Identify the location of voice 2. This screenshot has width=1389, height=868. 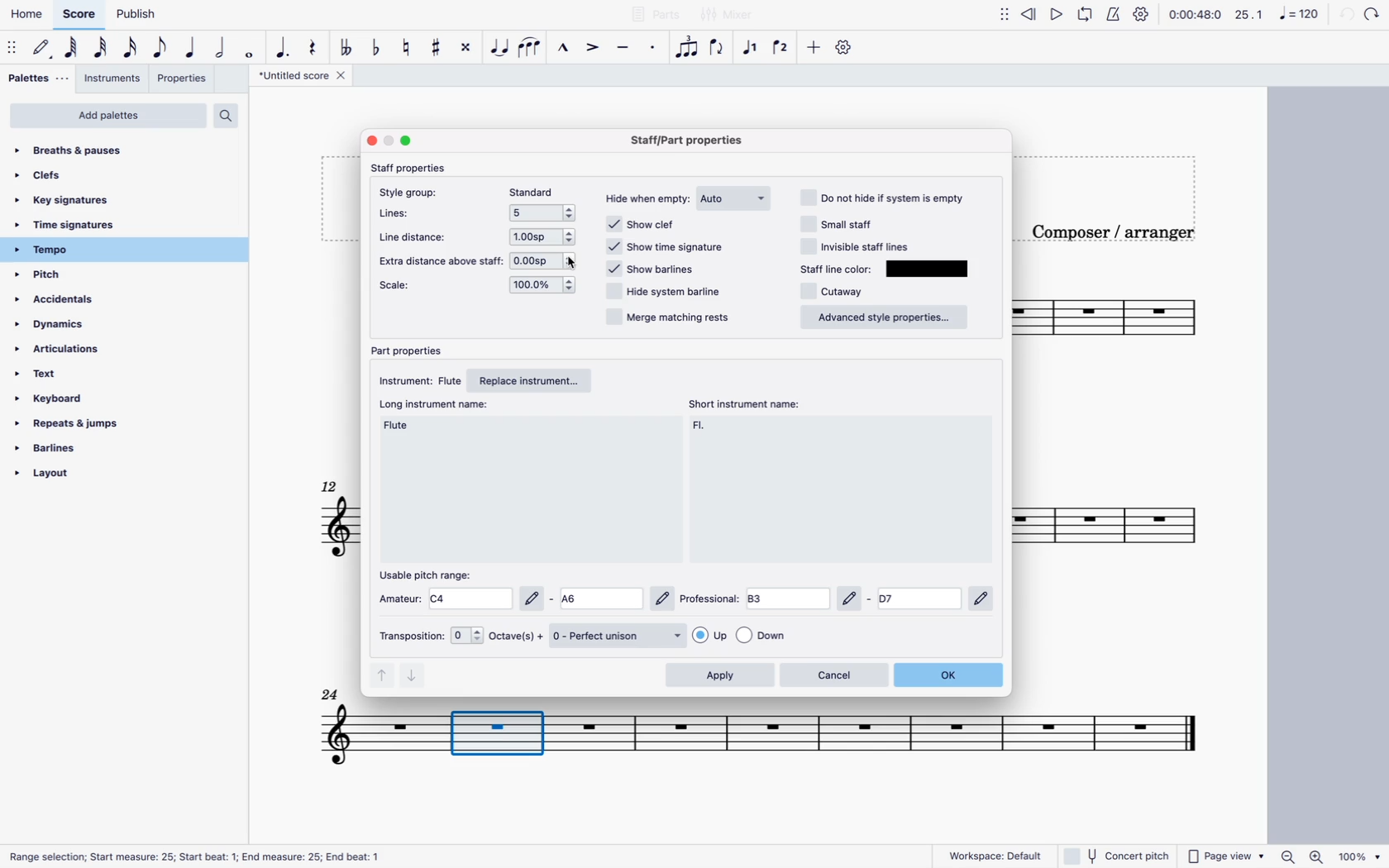
(781, 49).